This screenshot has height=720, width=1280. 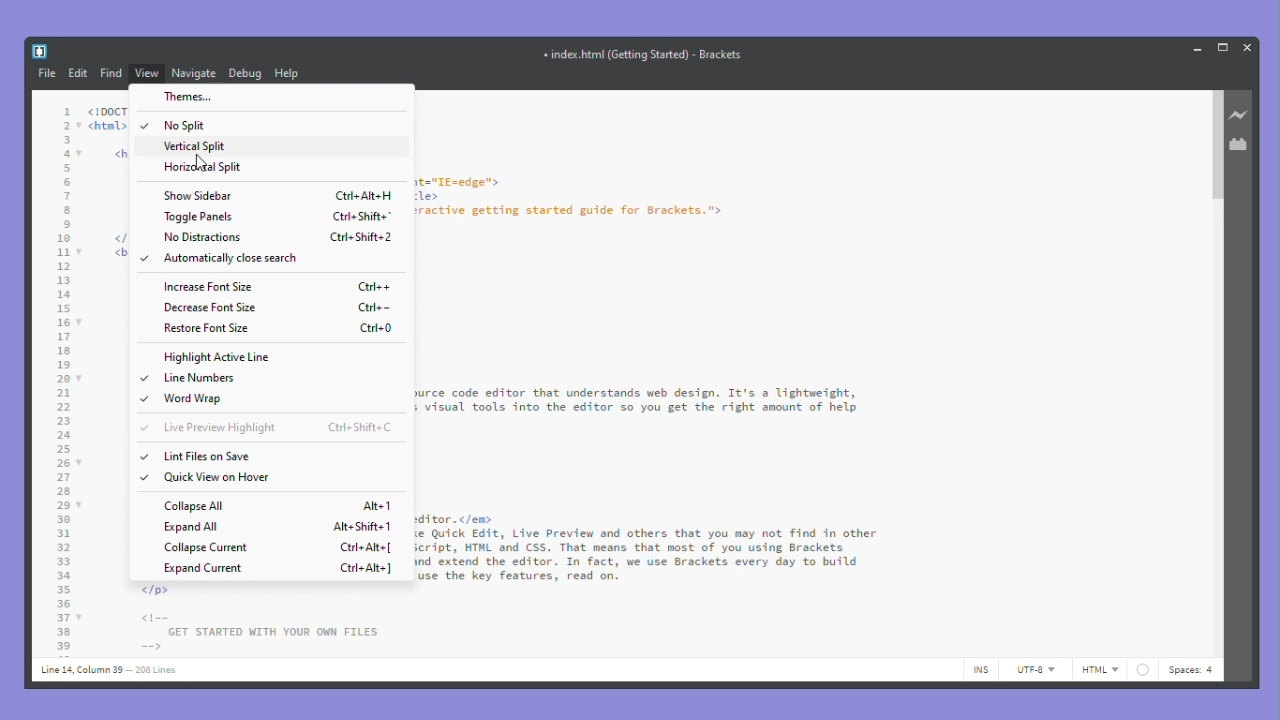 I want to click on Word wrap, so click(x=189, y=399).